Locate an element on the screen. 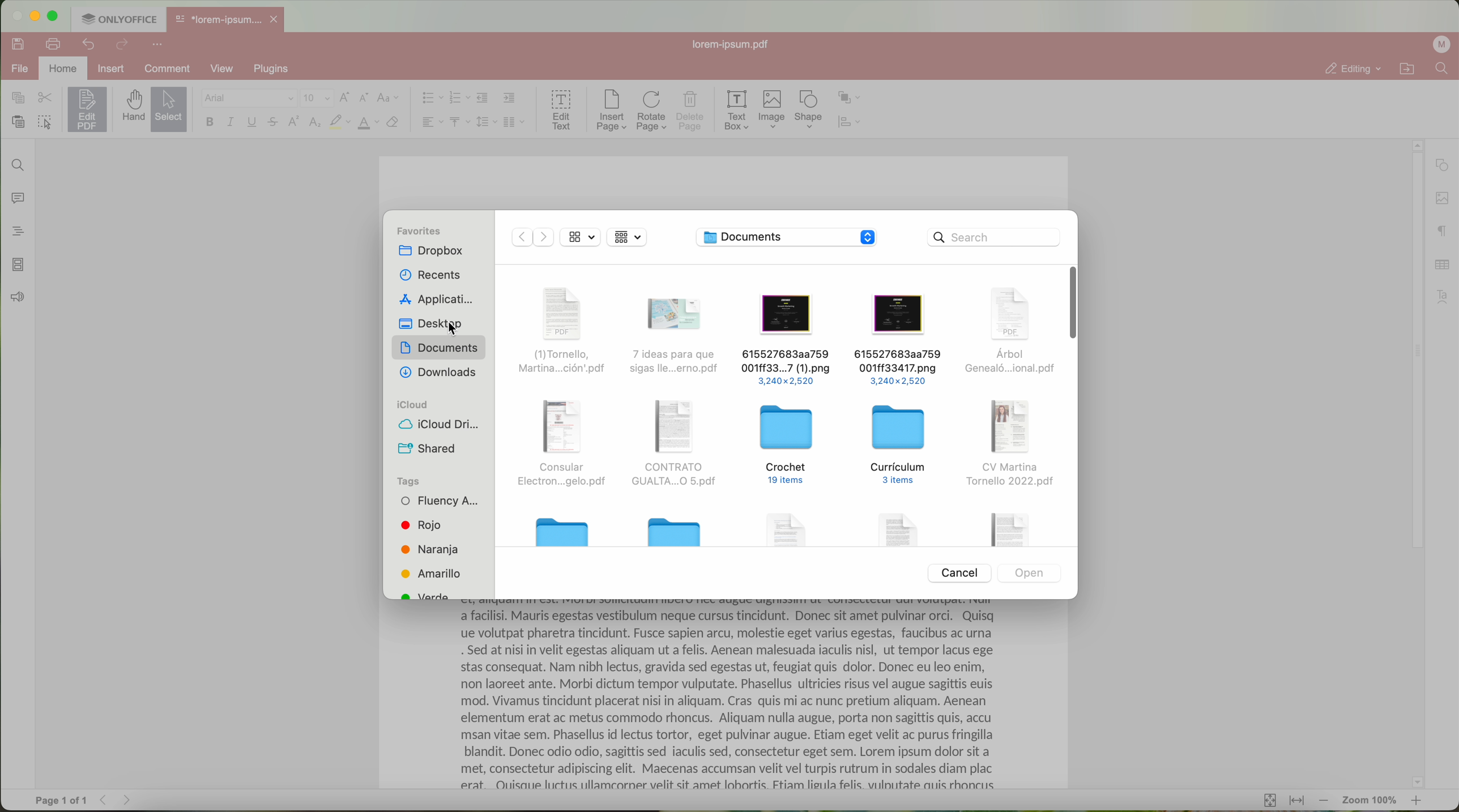 This screenshot has height=812, width=1459. paragraph settings is located at coordinates (1443, 230).